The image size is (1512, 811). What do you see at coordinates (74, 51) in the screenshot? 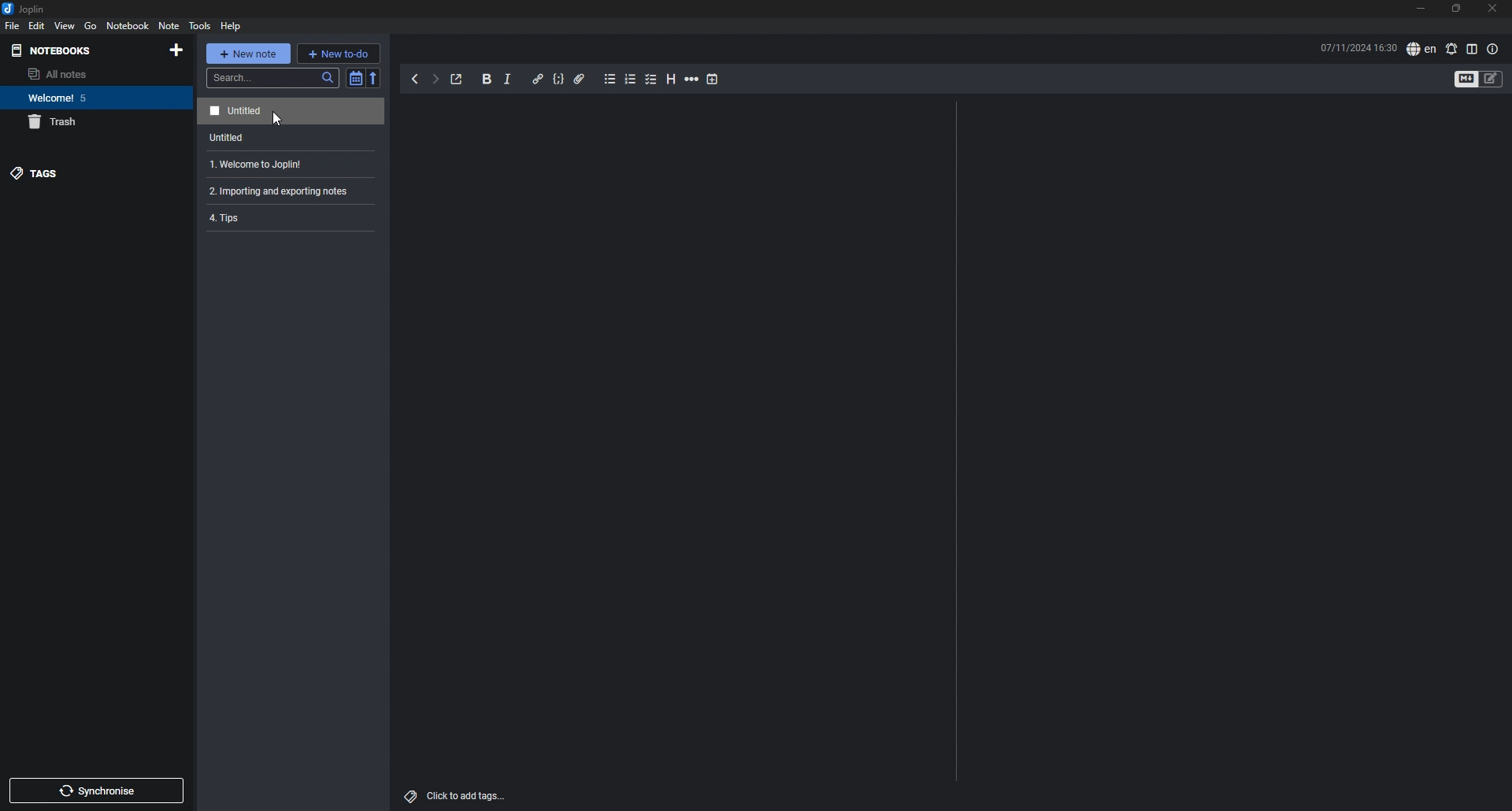
I see `notebooks` at bounding box center [74, 51].